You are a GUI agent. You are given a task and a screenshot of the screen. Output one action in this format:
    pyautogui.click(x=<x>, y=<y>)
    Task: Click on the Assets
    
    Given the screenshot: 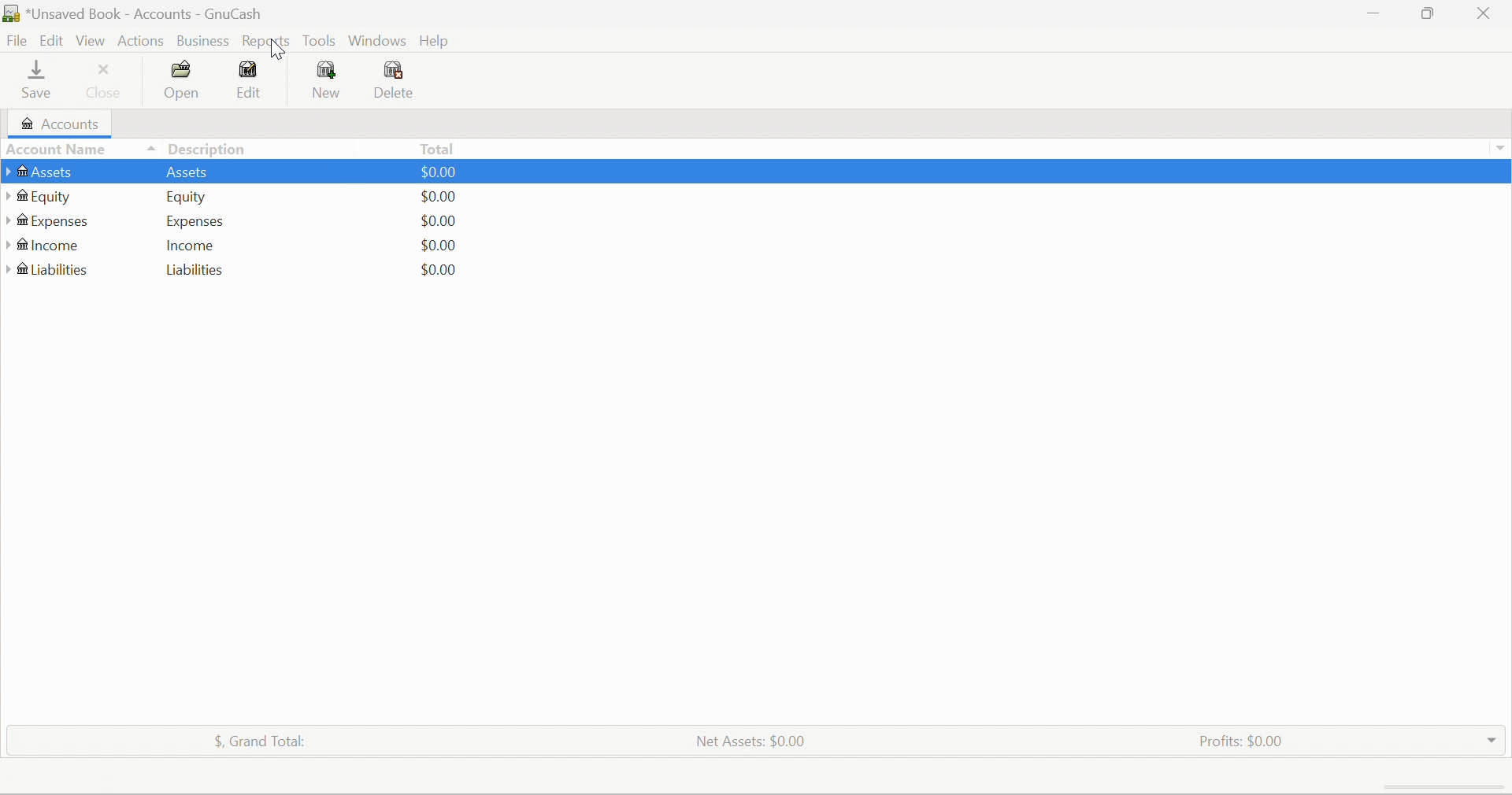 What is the action you would take?
    pyautogui.click(x=39, y=173)
    